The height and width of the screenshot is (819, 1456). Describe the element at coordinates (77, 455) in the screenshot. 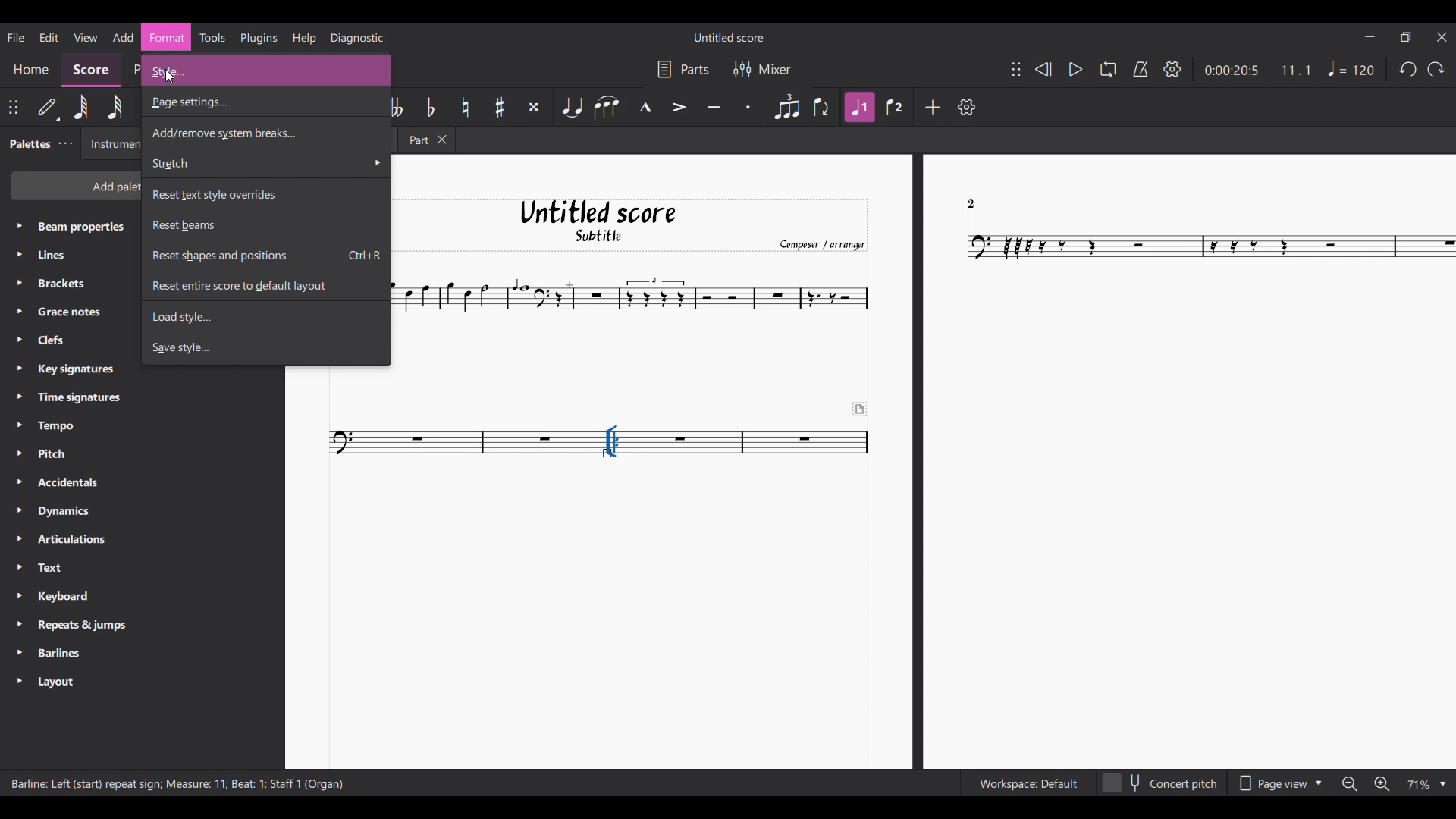

I see `Palette setting options` at that location.